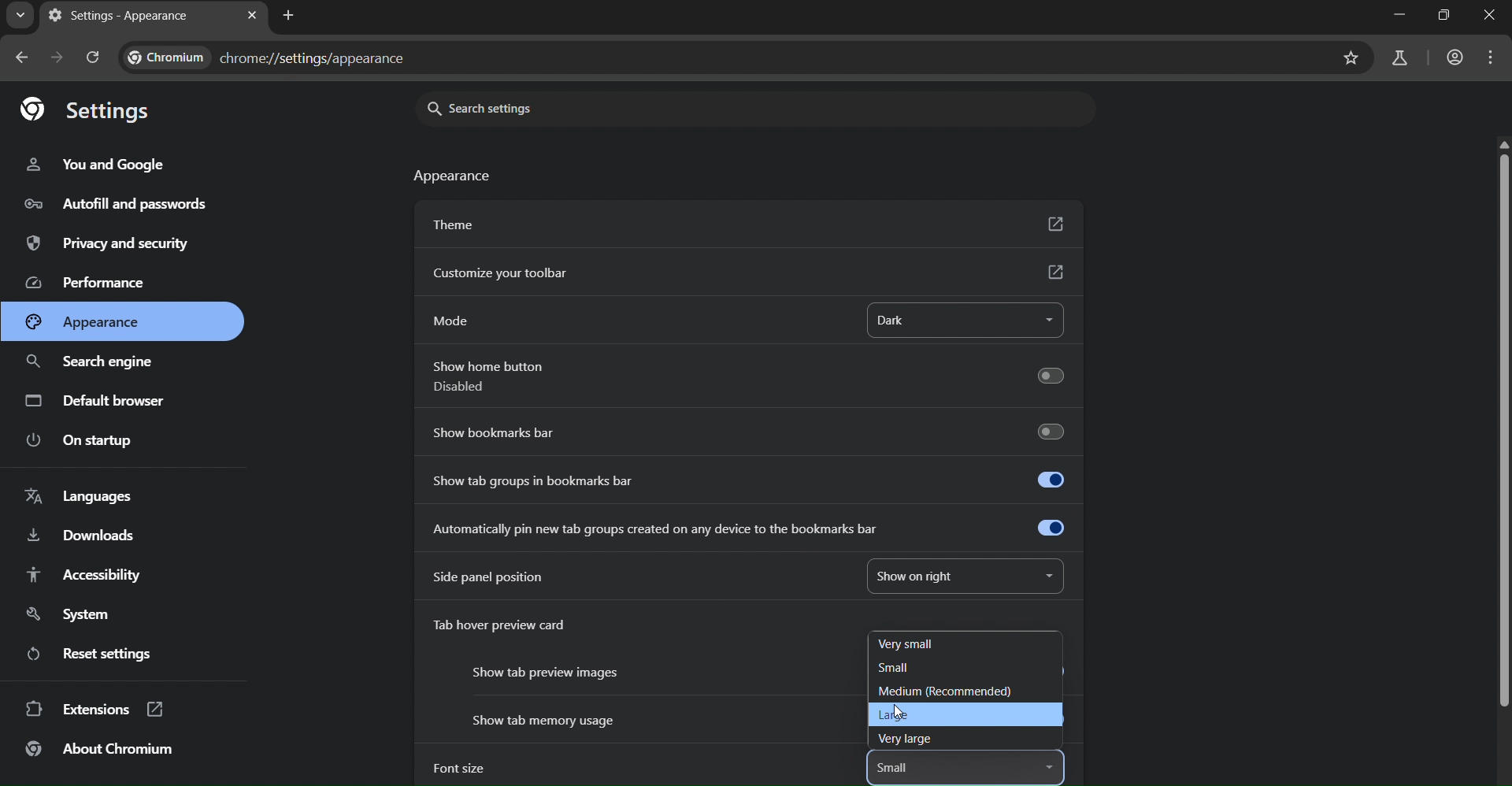 The height and width of the screenshot is (786, 1512). I want to click on mode, so click(454, 321).